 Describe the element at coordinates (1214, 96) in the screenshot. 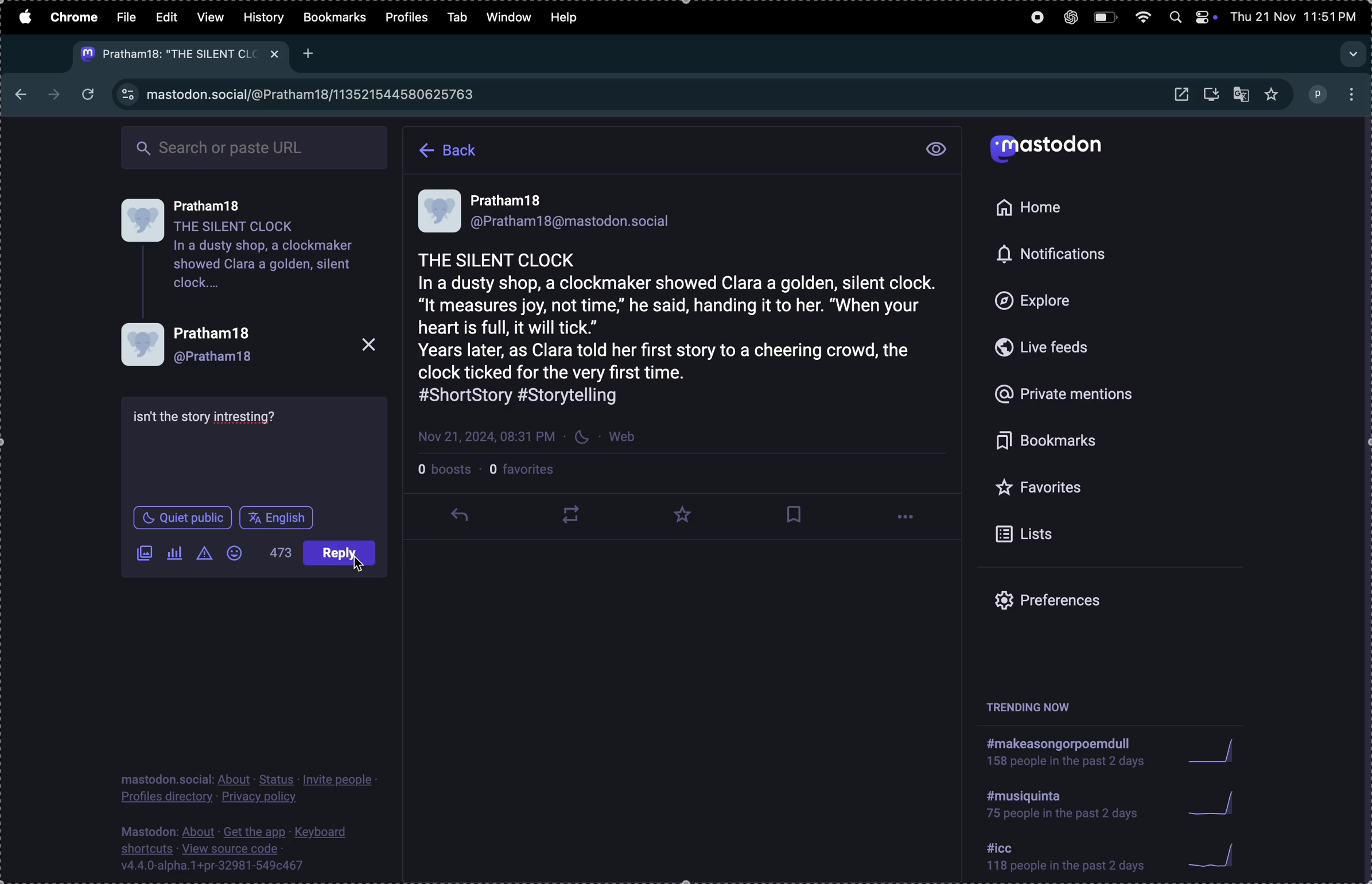

I see `download` at that location.